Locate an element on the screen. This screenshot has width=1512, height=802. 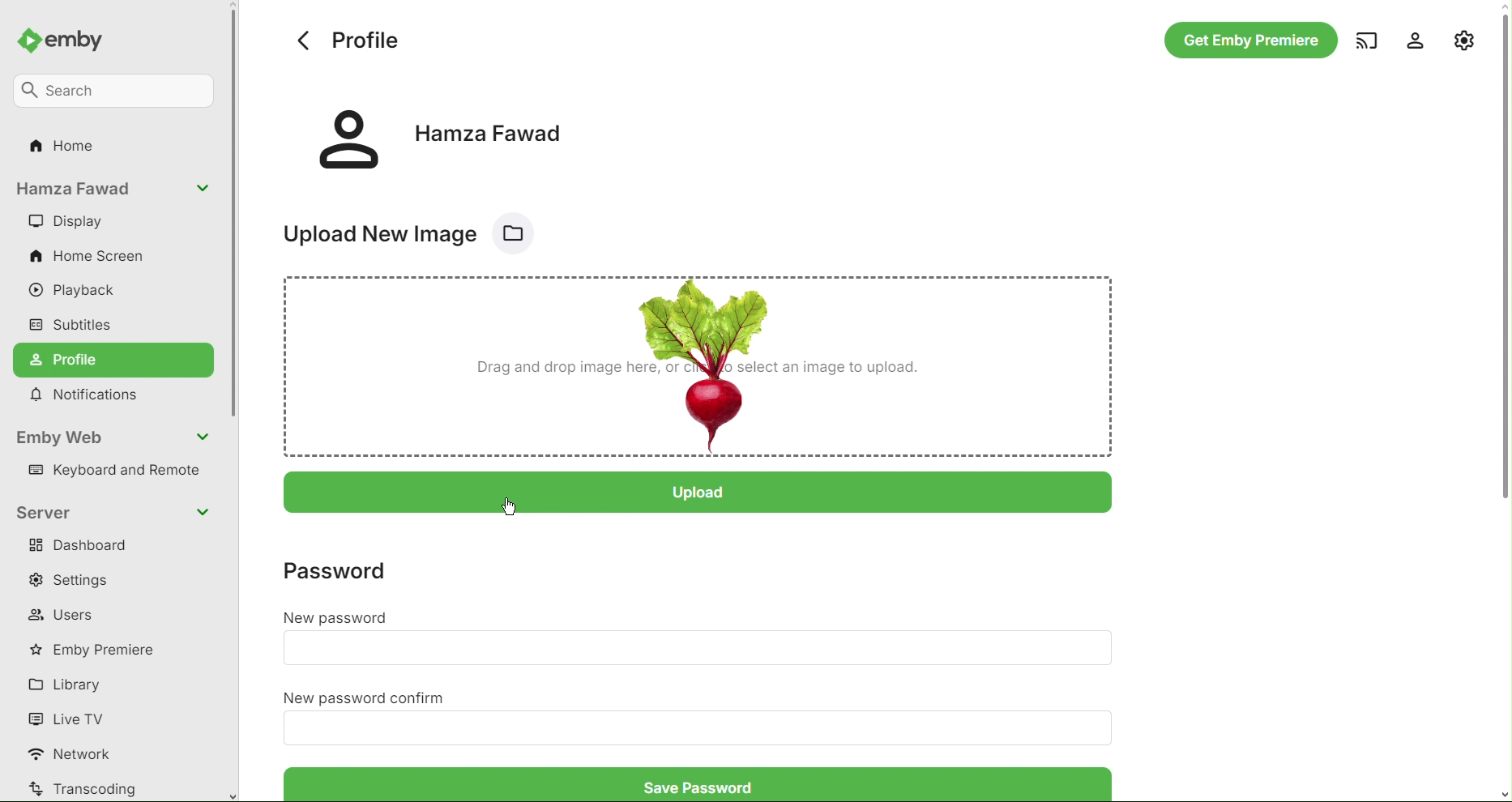
Image is located at coordinates (702, 365).